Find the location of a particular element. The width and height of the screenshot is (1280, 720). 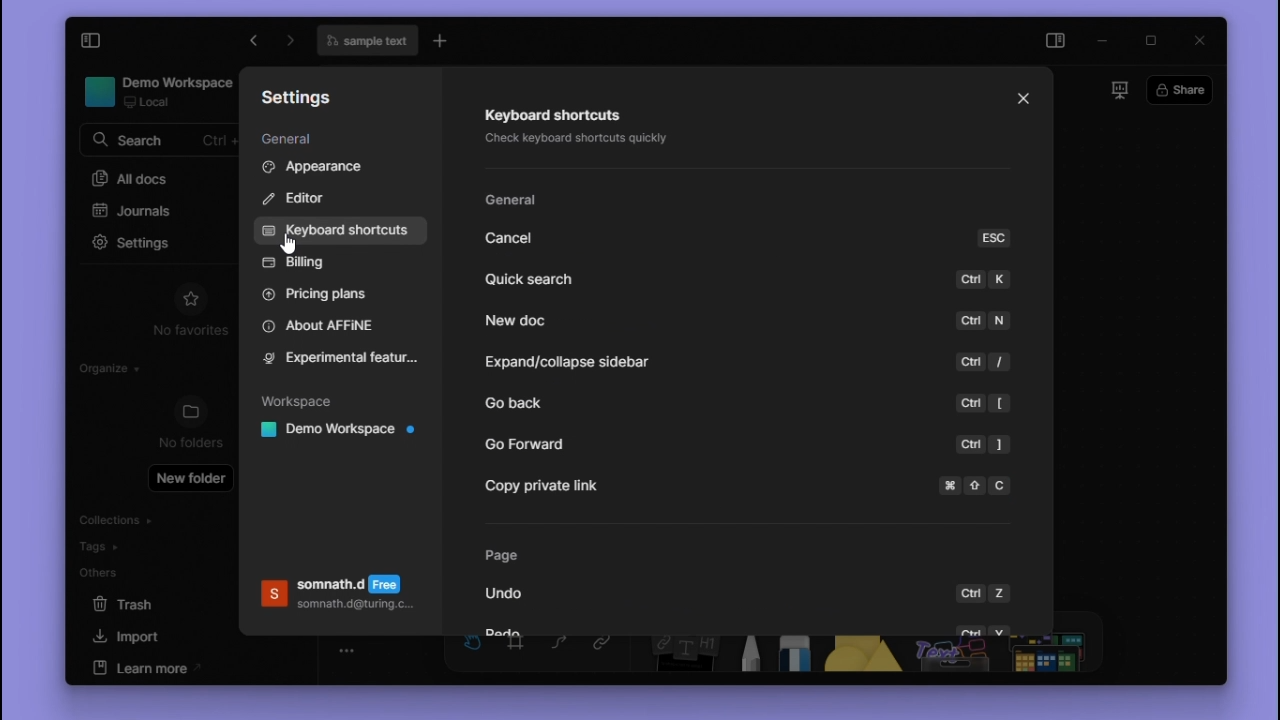

cursor is located at coordinates (289, 244).